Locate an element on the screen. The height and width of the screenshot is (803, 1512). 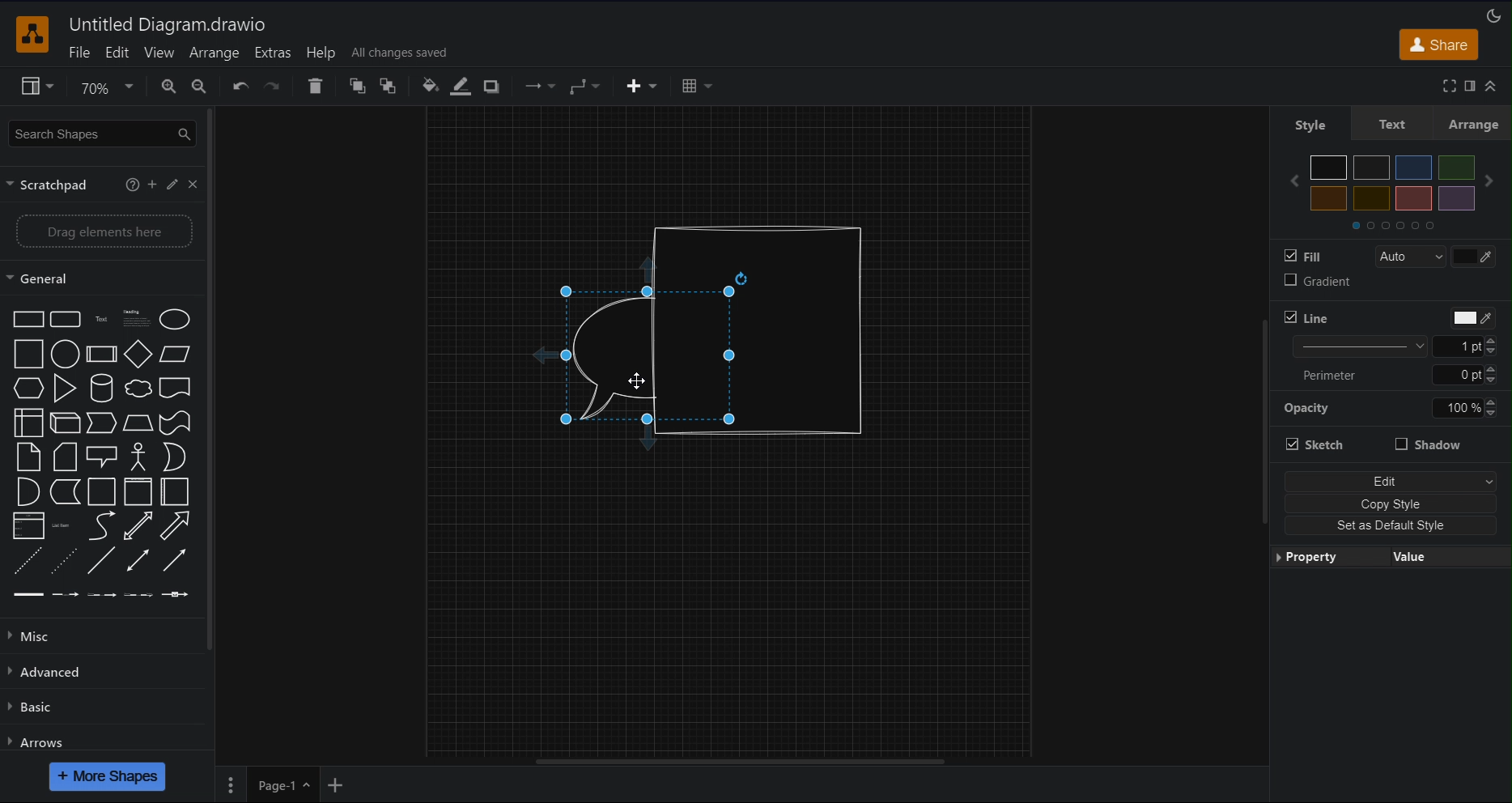
Misc  is located at coordinates (100, 637).